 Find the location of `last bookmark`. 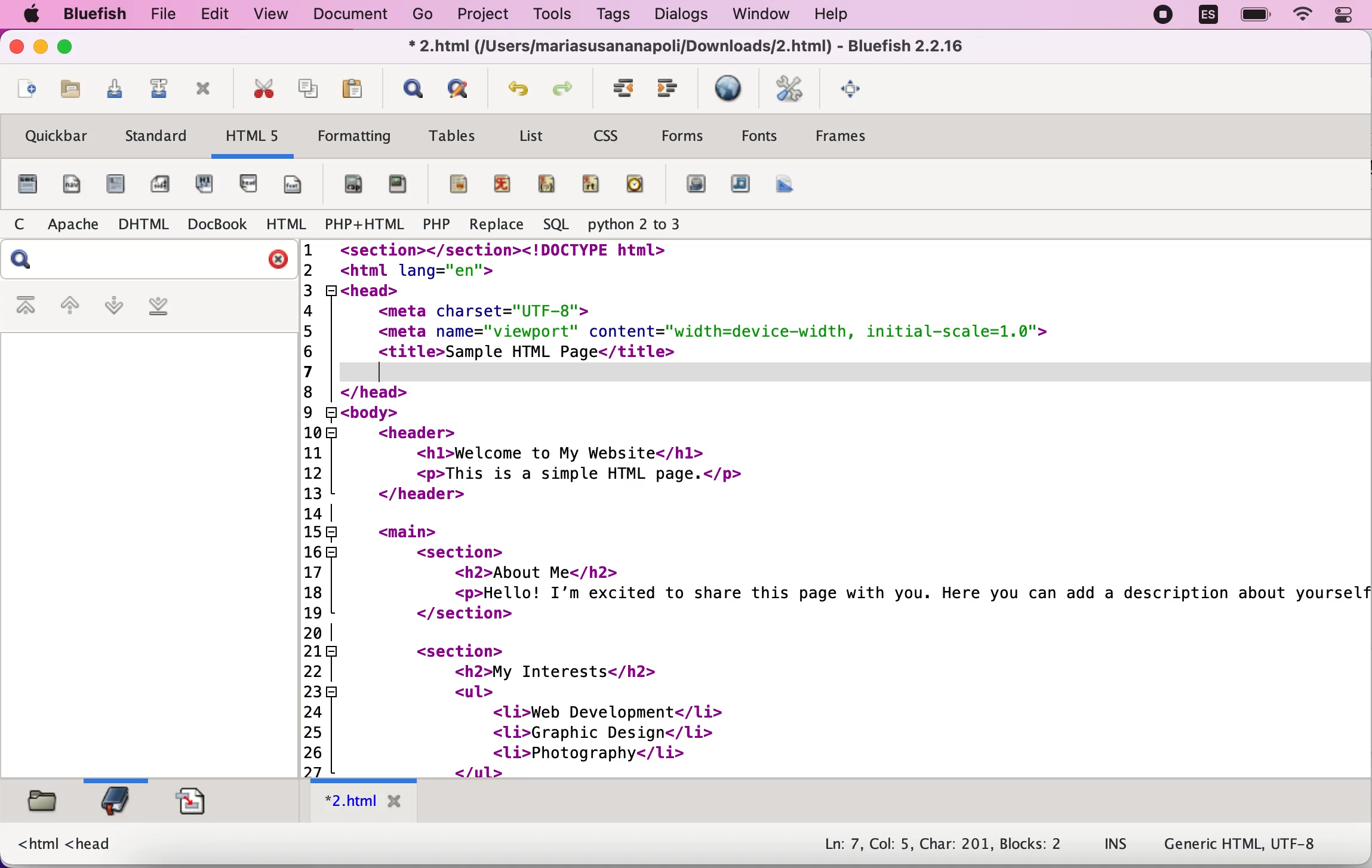

last bookmark is located at coordinates (173, 307).